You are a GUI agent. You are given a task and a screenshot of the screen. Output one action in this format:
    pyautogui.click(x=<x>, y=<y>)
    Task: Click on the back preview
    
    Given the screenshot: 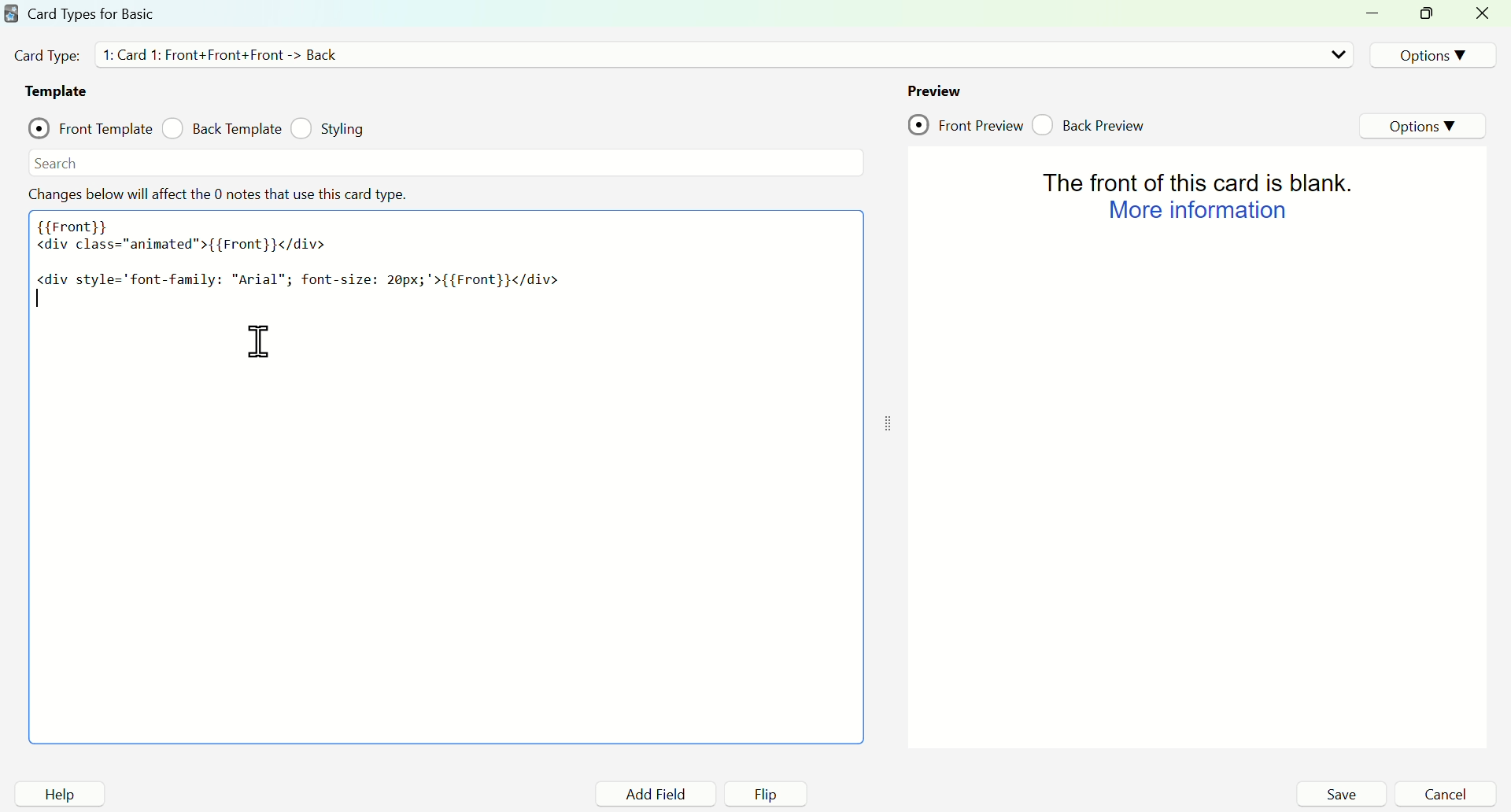 What is the action you would take?
    pyautogui.click(x=1093, y=124)
    